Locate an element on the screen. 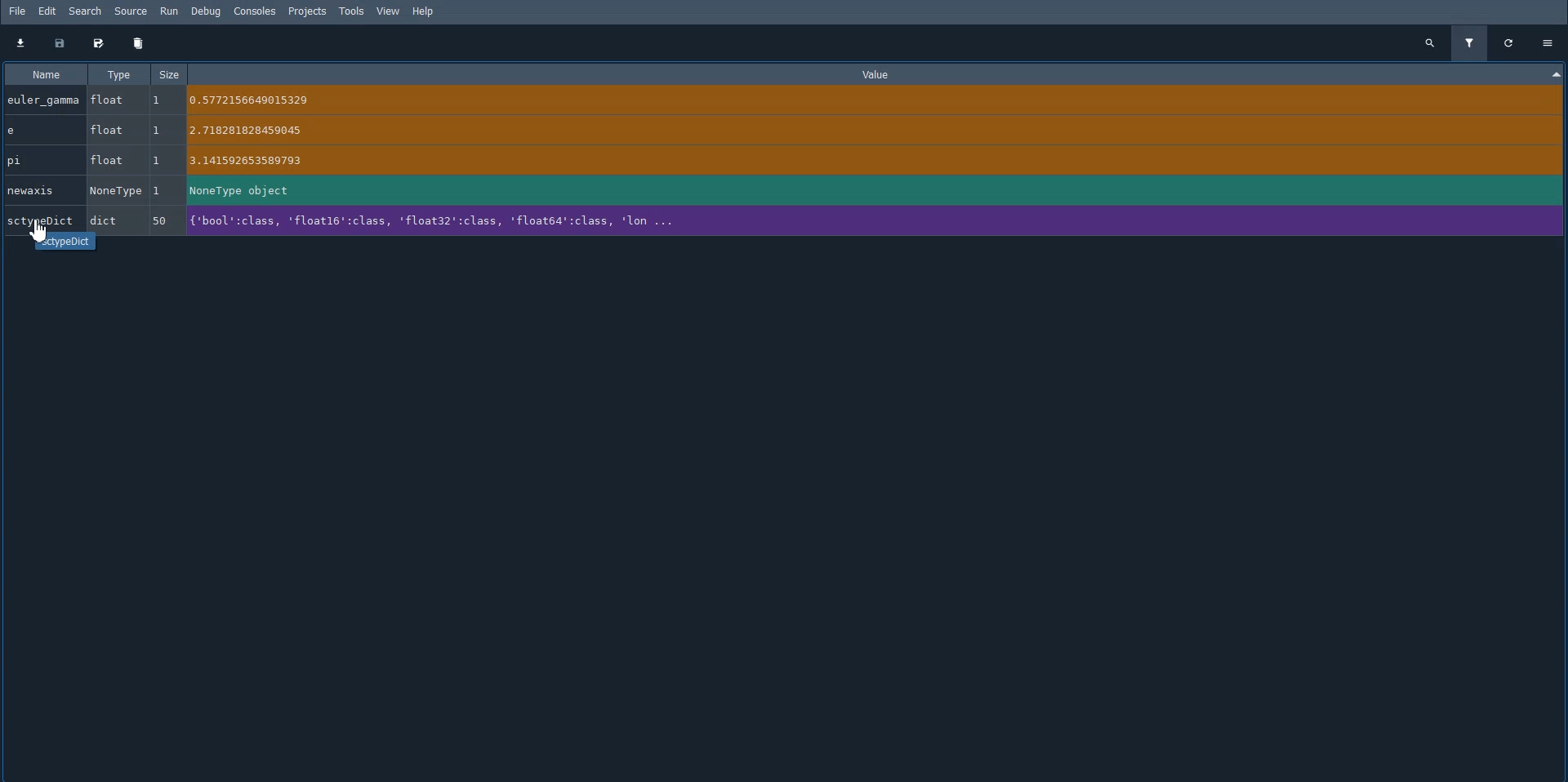 Image resolution: width=1568 pixels, height=782 pixels. Edit is located at coordinates (47, 11).